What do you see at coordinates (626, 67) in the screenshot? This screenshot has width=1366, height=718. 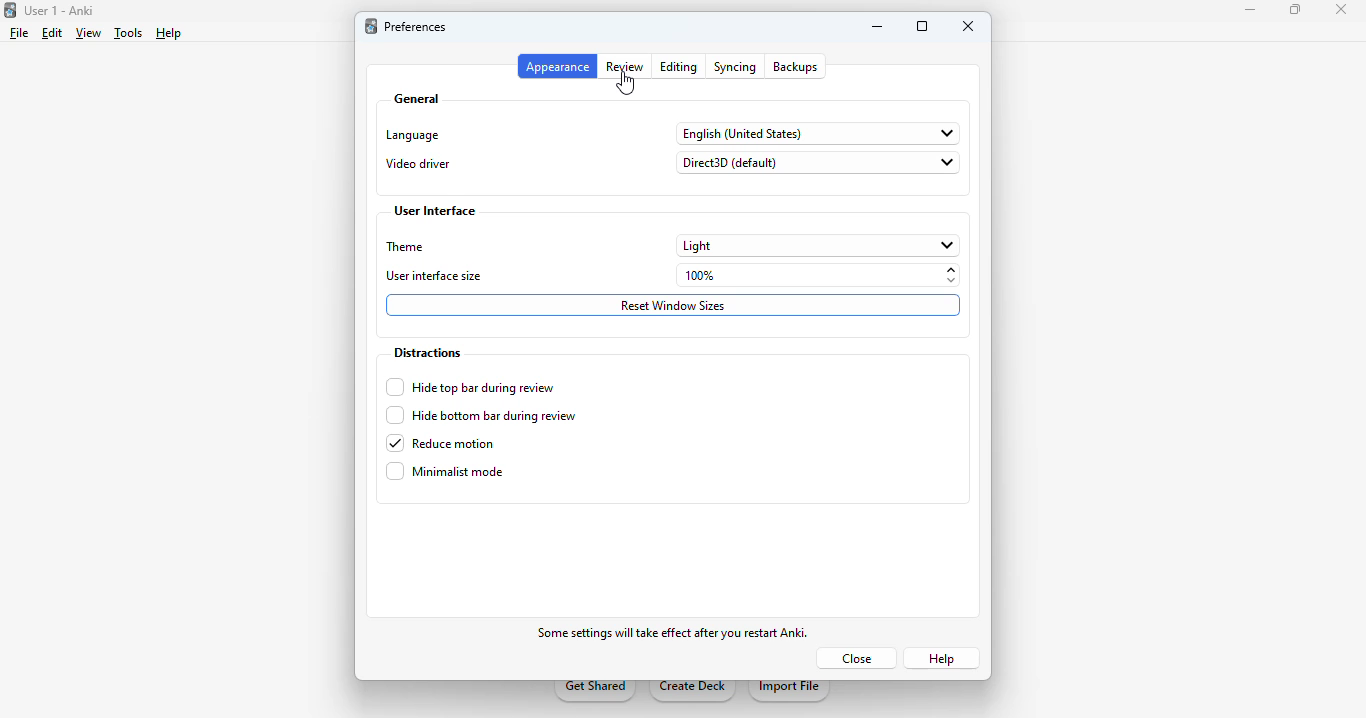 I see `review` at bounding box center [626, 67].